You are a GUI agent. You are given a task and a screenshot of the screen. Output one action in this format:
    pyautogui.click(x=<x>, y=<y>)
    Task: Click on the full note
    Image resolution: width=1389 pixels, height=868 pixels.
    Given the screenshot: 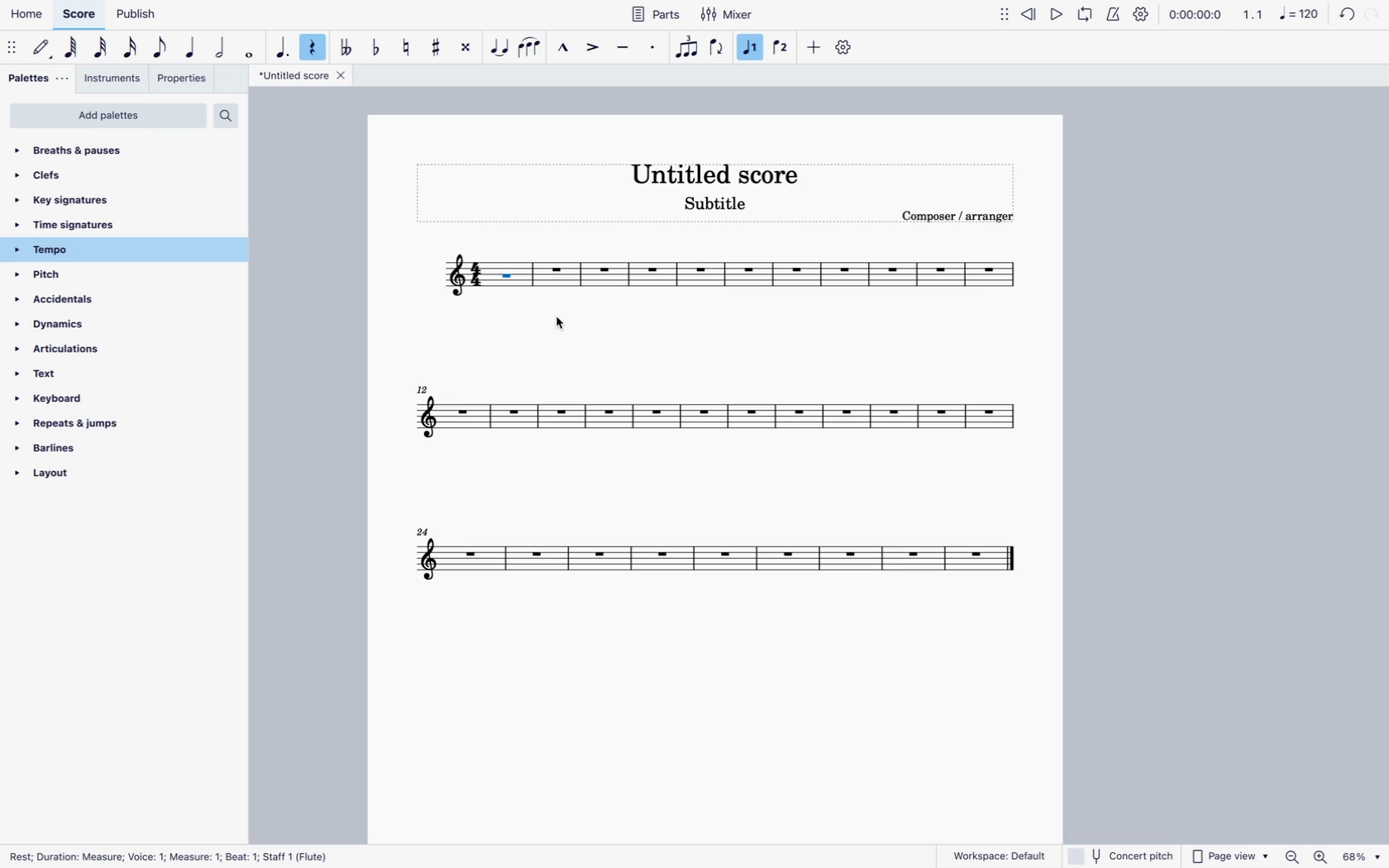 What is the action you would take?
    pyautogui.click(x=251, y=49)
    